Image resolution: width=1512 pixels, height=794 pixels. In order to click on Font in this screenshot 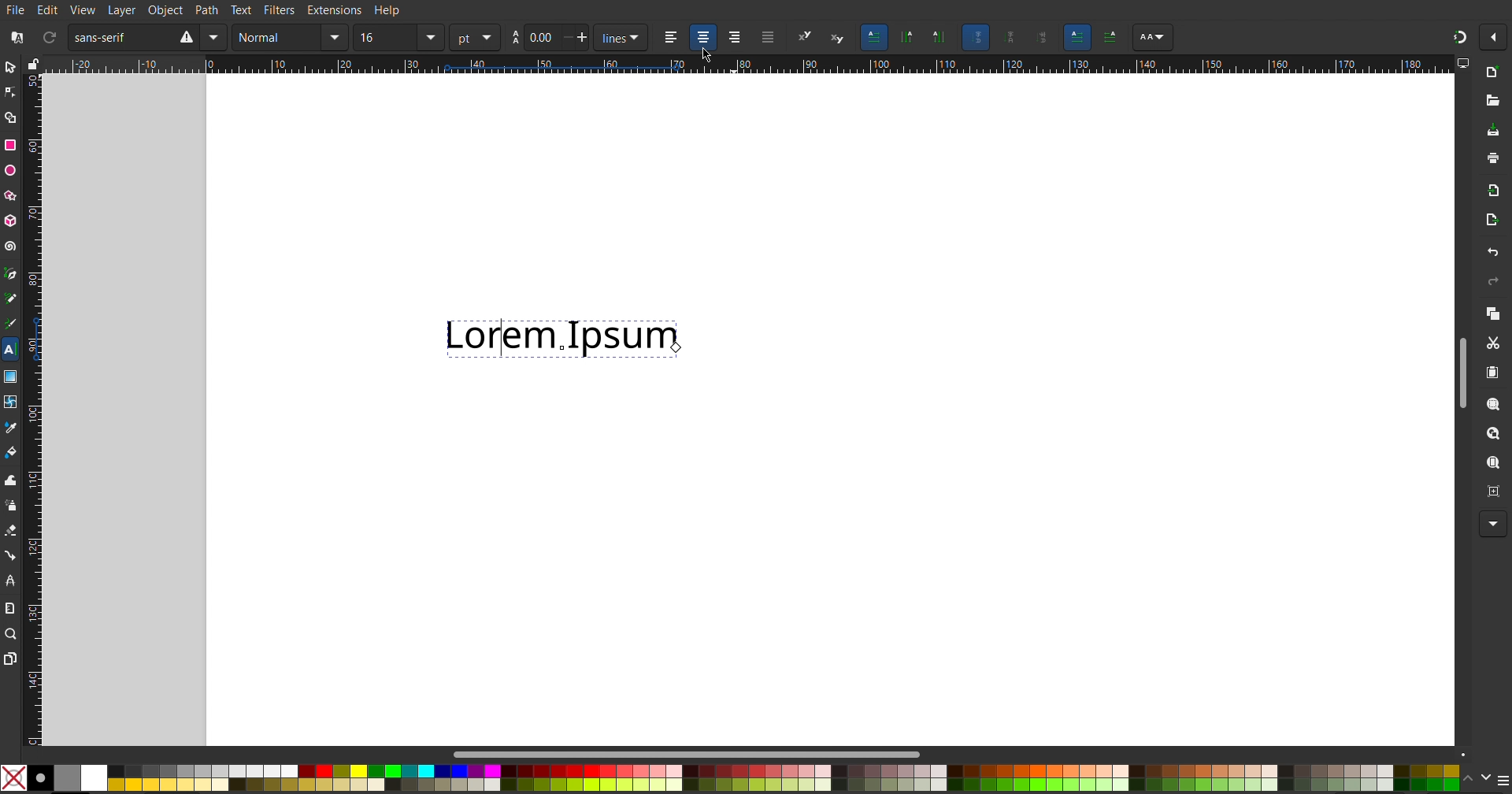, I will do `click(147, 36)`.